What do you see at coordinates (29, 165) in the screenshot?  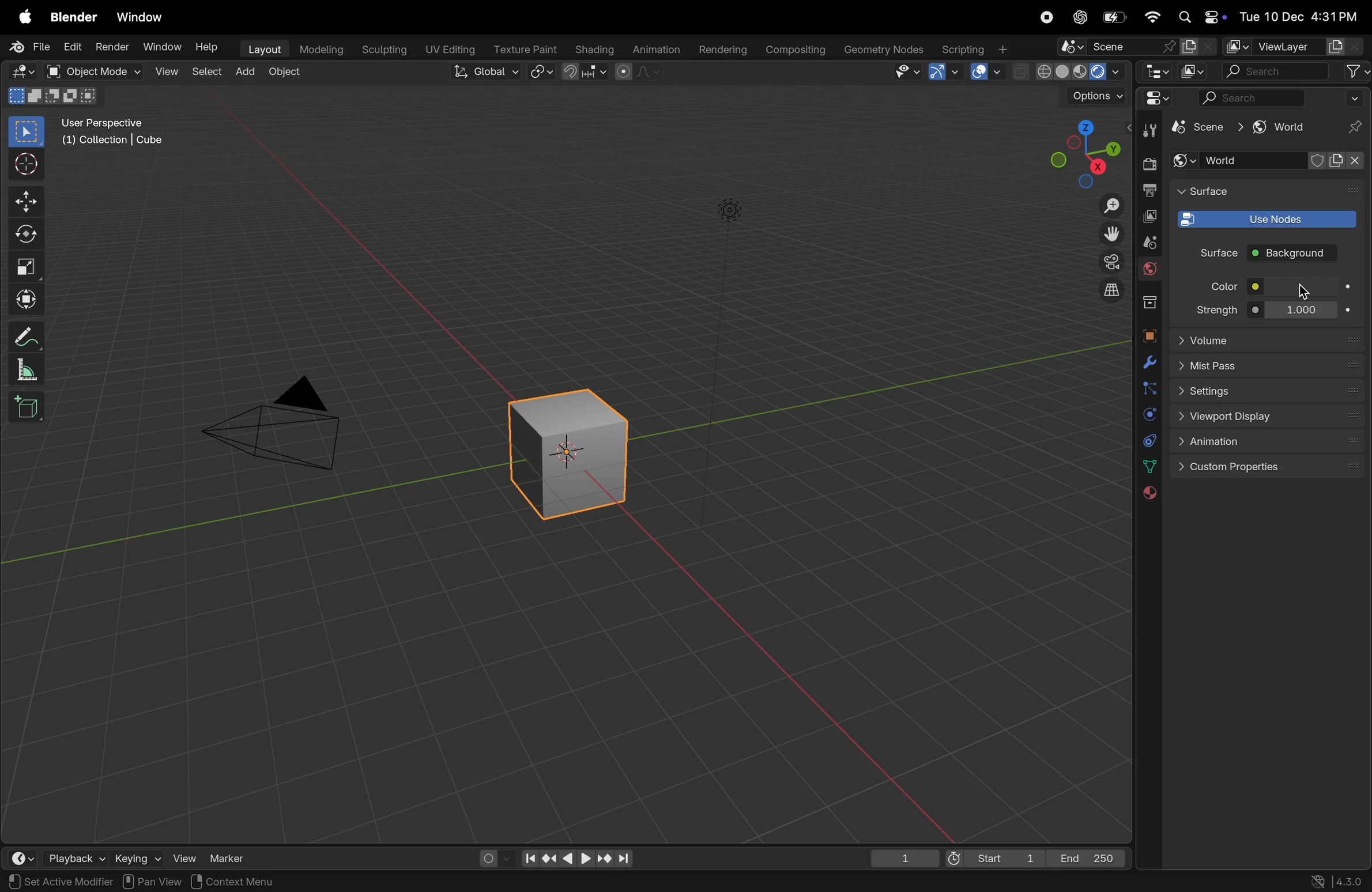 I see `cursor` at bounding box center [29, 165].